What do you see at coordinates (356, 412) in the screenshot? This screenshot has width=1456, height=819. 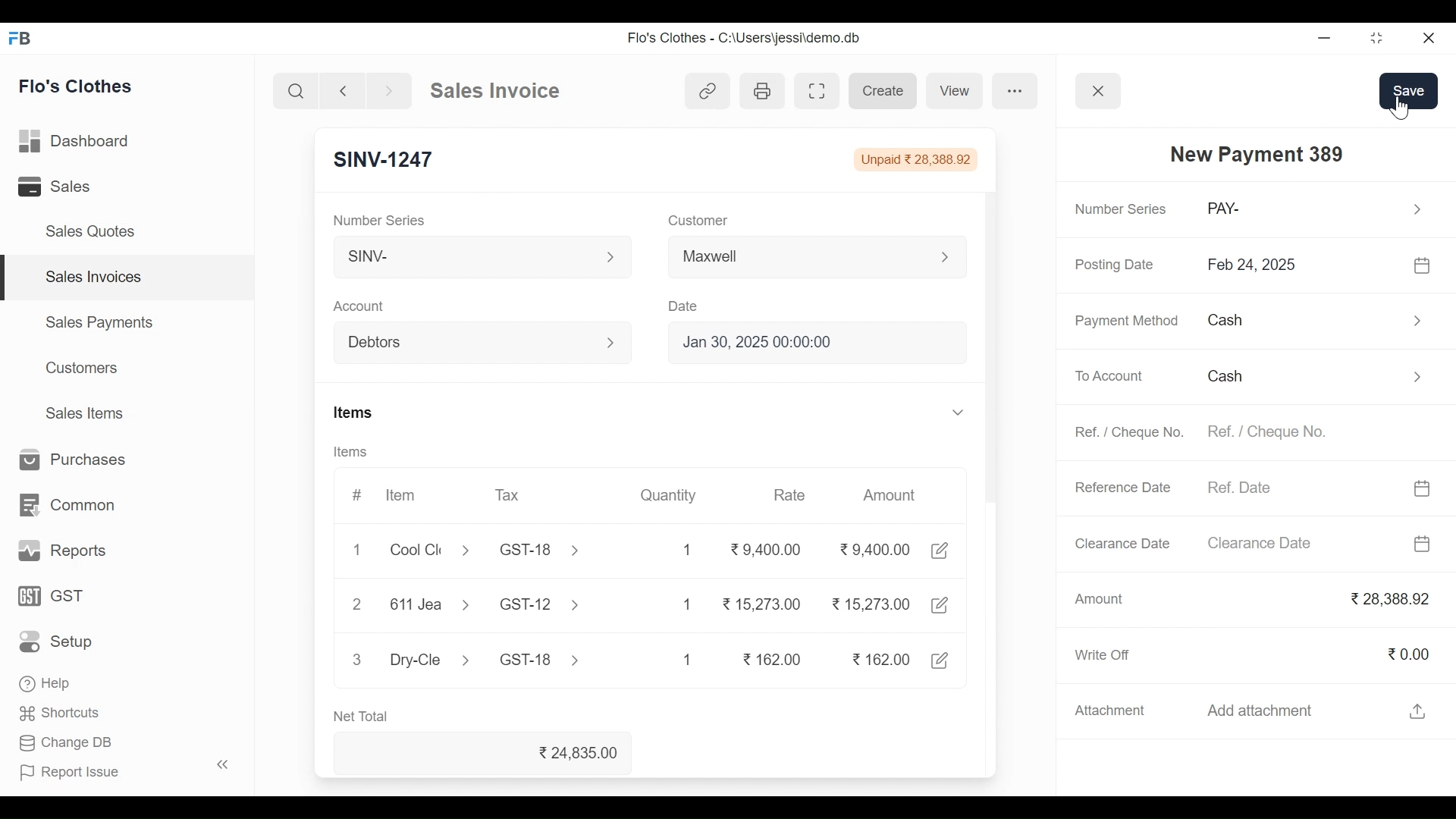 I see `Items` at bounding box center [356, 412].